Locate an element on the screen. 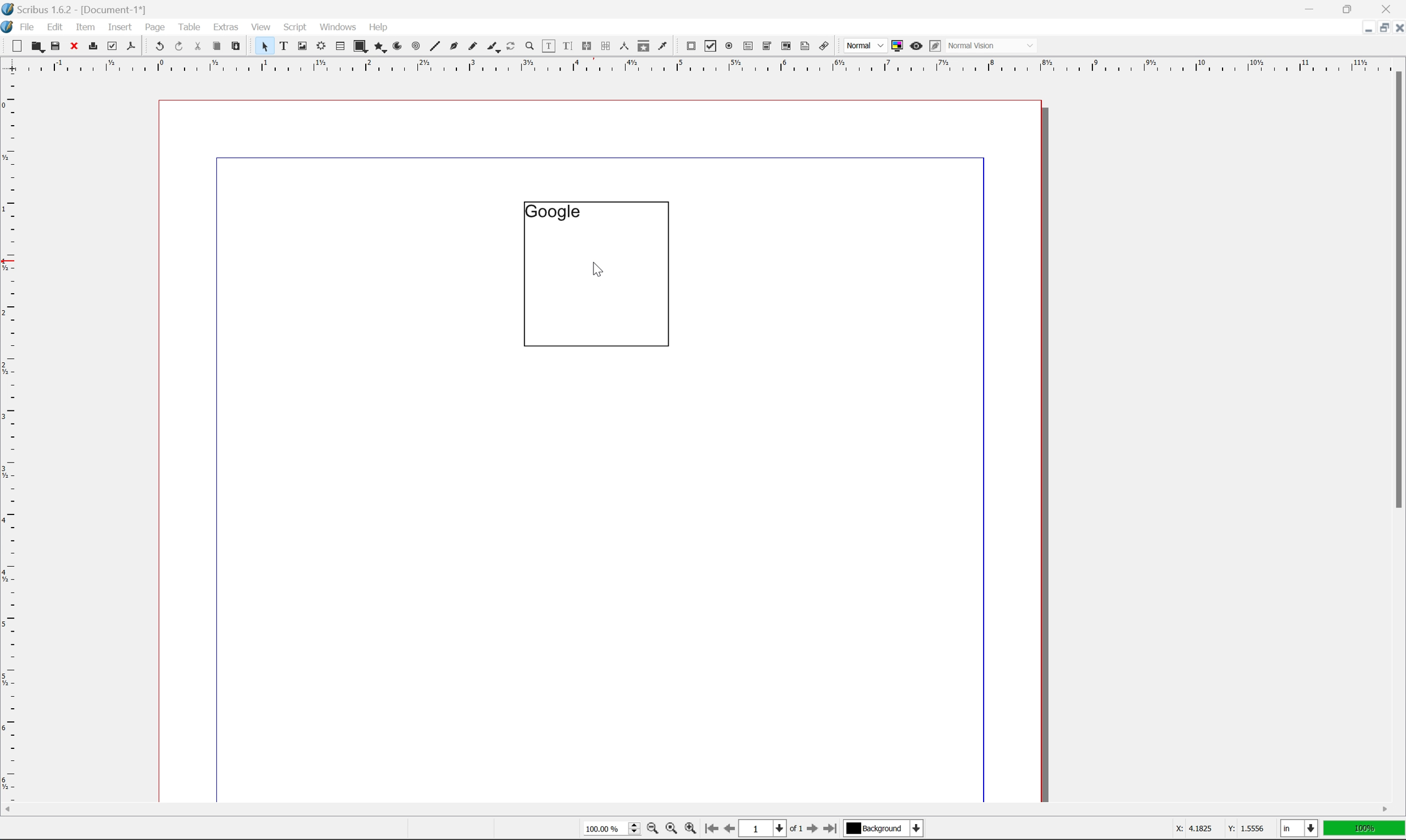 Image resolution: width=1406 pixels, height=840 pixels. new is located at coordinates (18, 46).